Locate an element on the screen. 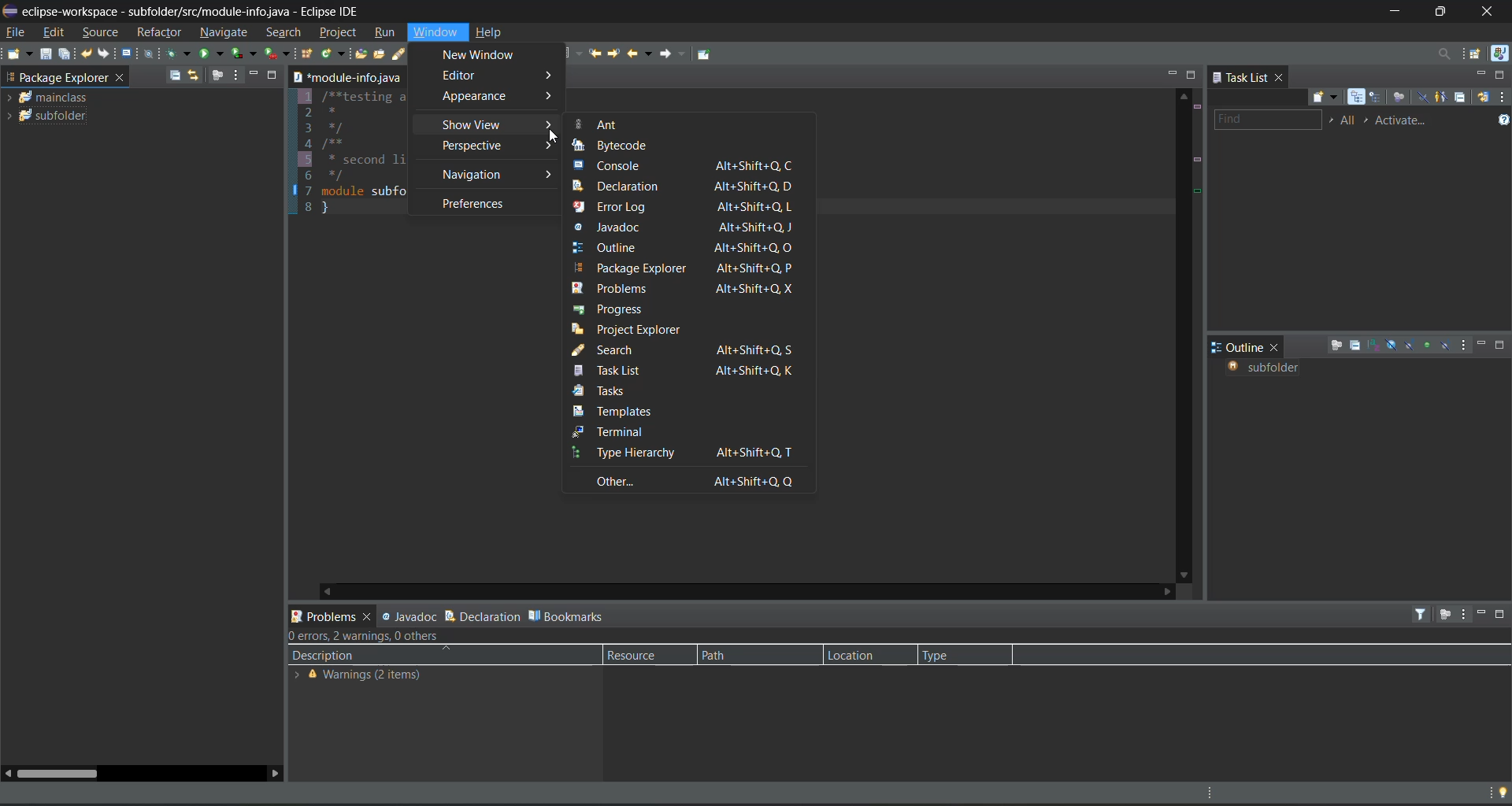 The image size is (1512, 806). resource is located at coordinates (644, 655).